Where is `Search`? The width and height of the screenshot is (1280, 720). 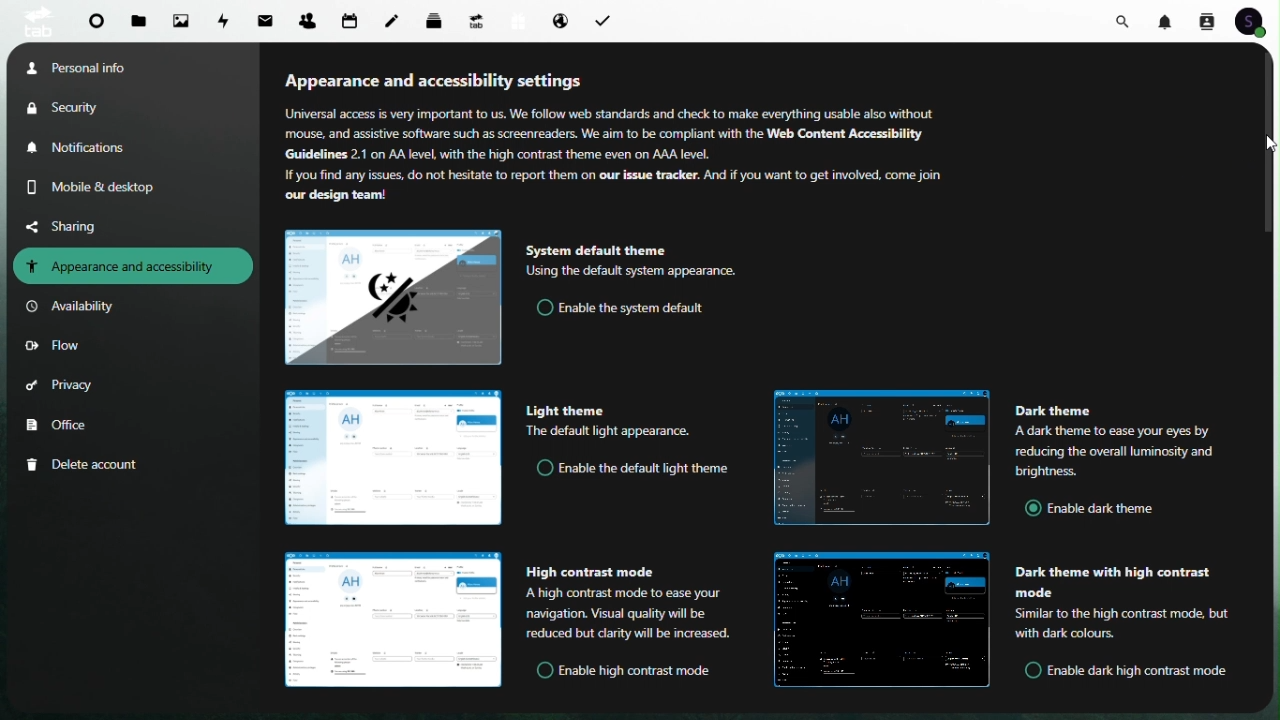 Search is located at coordinates (1126, 19).